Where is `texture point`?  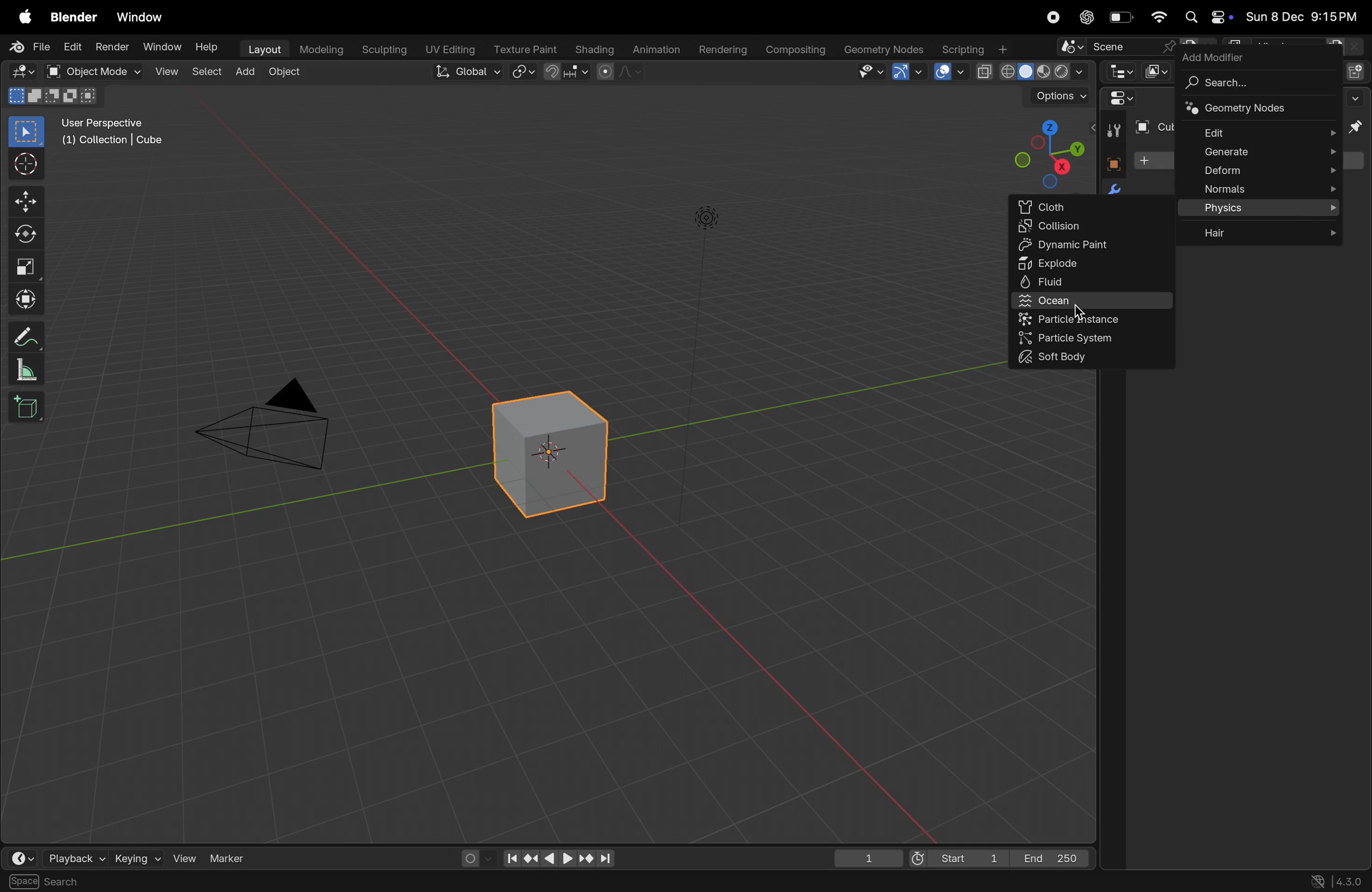 texture point is located at coordinates (527, 49).